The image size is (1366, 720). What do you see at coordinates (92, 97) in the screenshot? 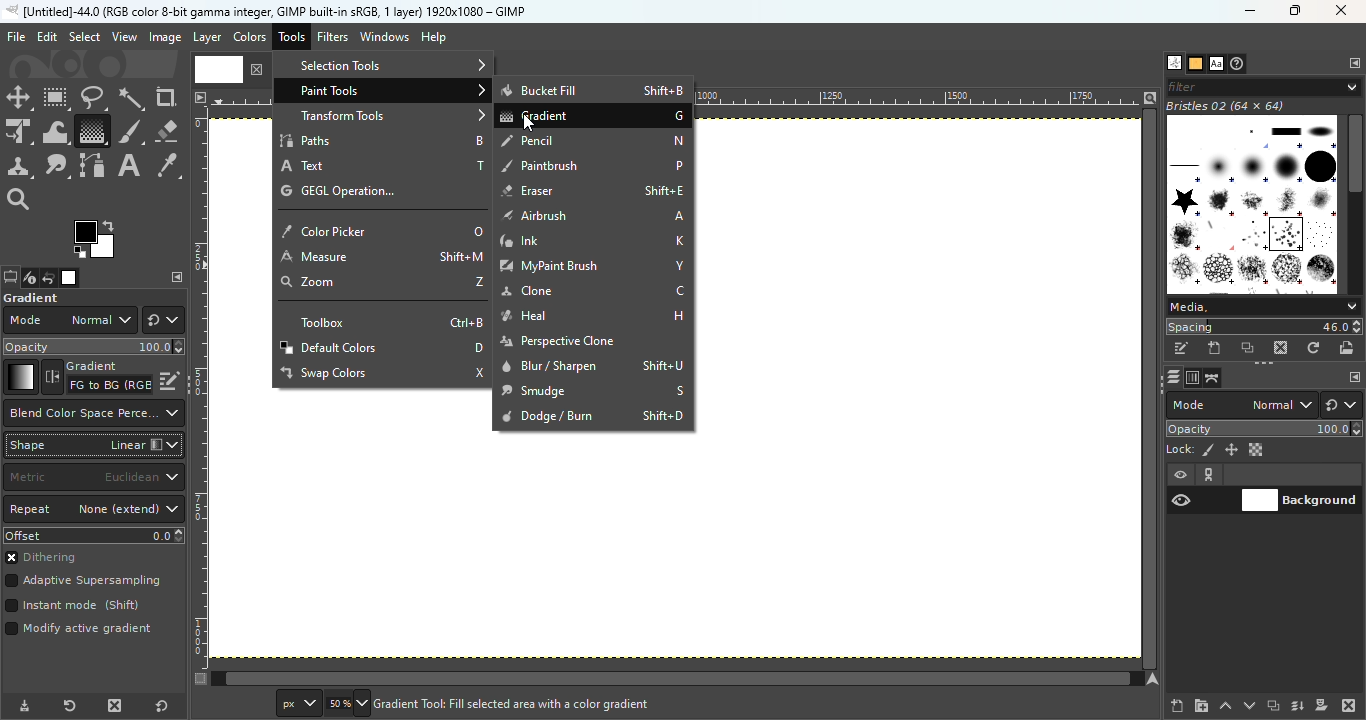
I see `Free select tool` at bounding box center [92, 97].